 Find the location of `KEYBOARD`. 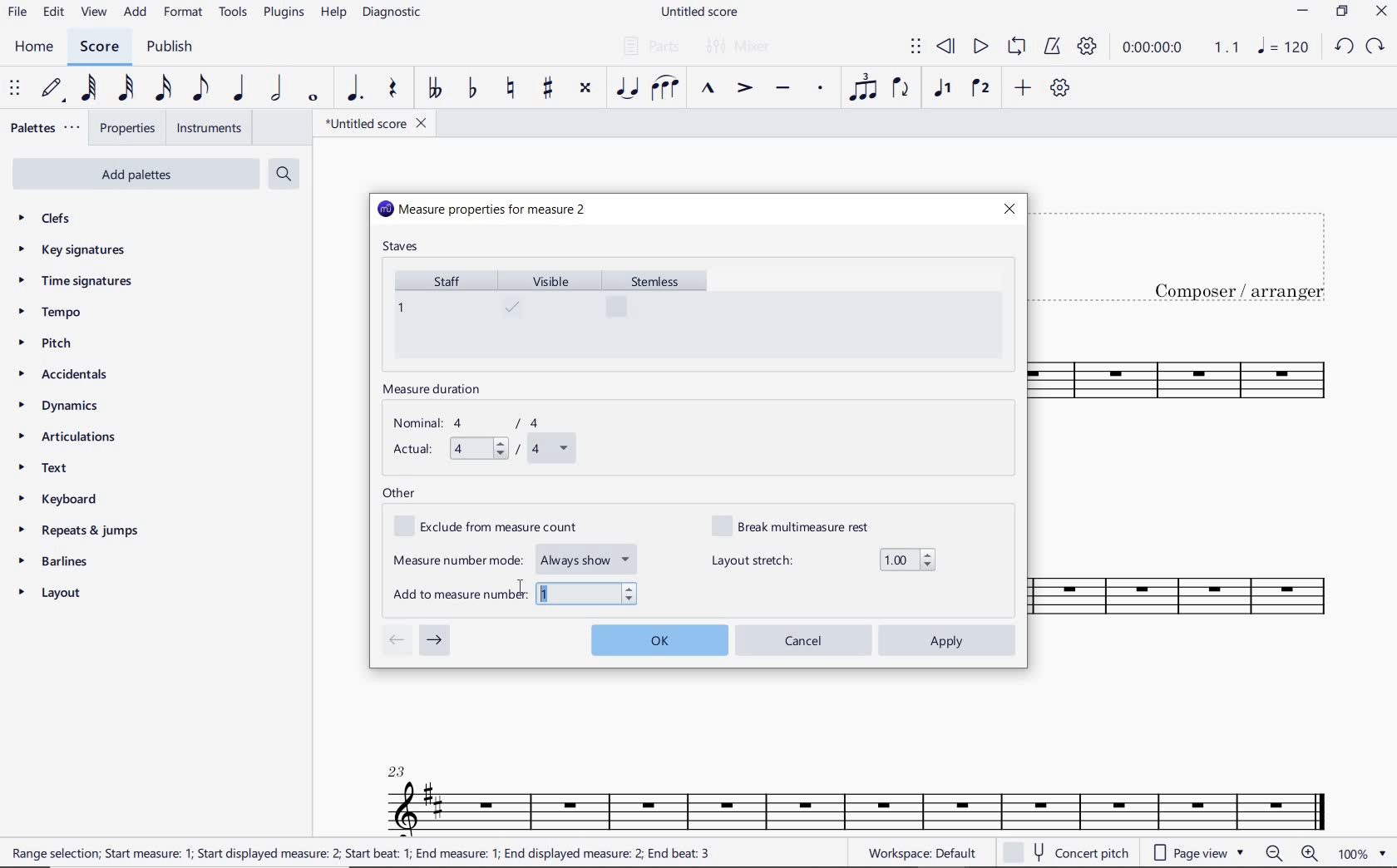

KEYBOARD is located at coordinates (72, 501).